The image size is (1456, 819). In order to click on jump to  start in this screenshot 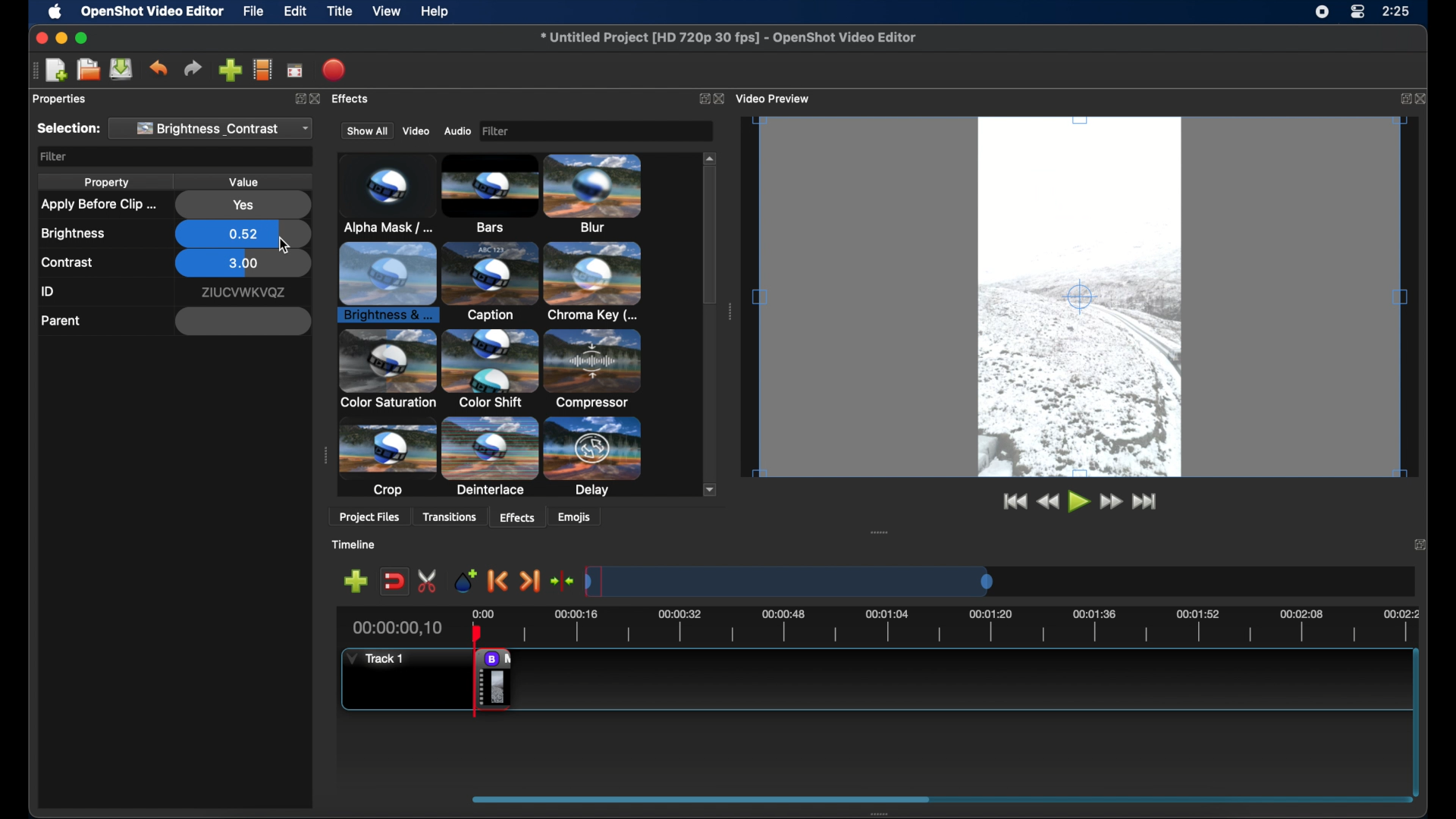, I will do `click(1015, 503)`.